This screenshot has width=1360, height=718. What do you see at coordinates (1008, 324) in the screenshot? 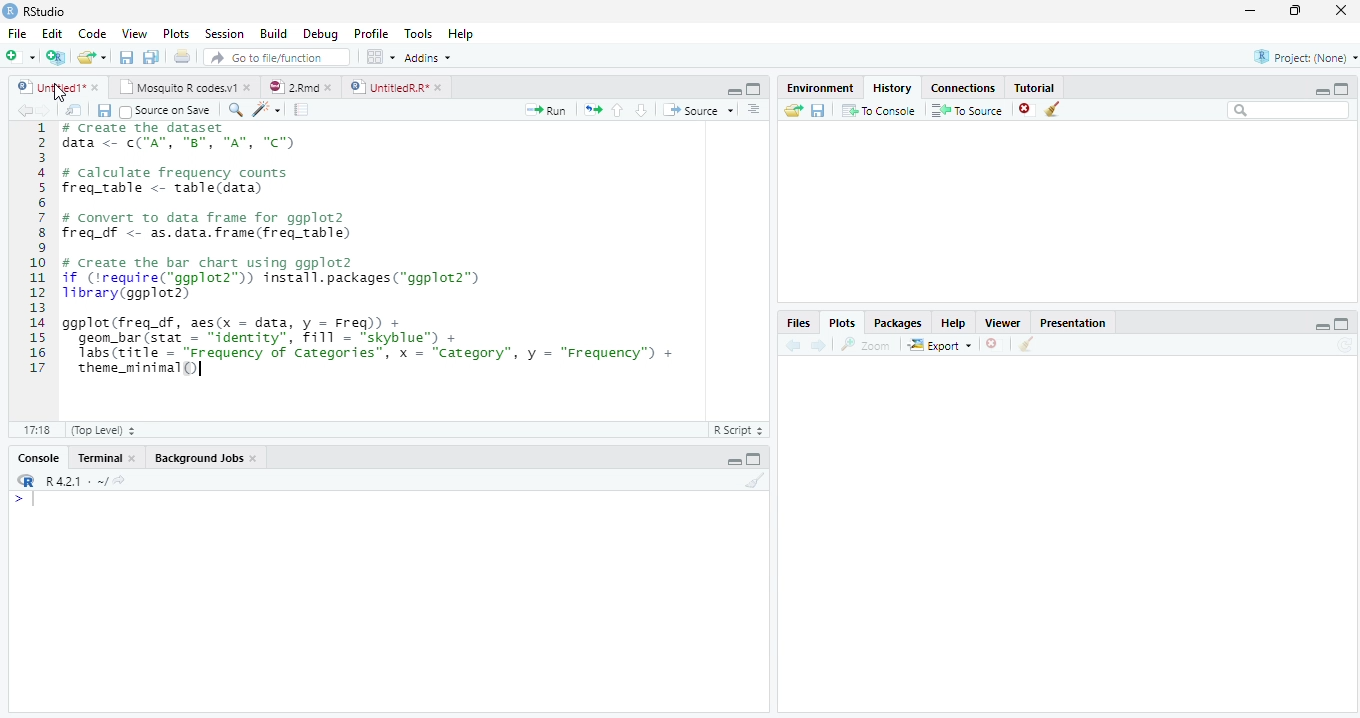
I see `Viewer` at bounding box center [1008, 324].